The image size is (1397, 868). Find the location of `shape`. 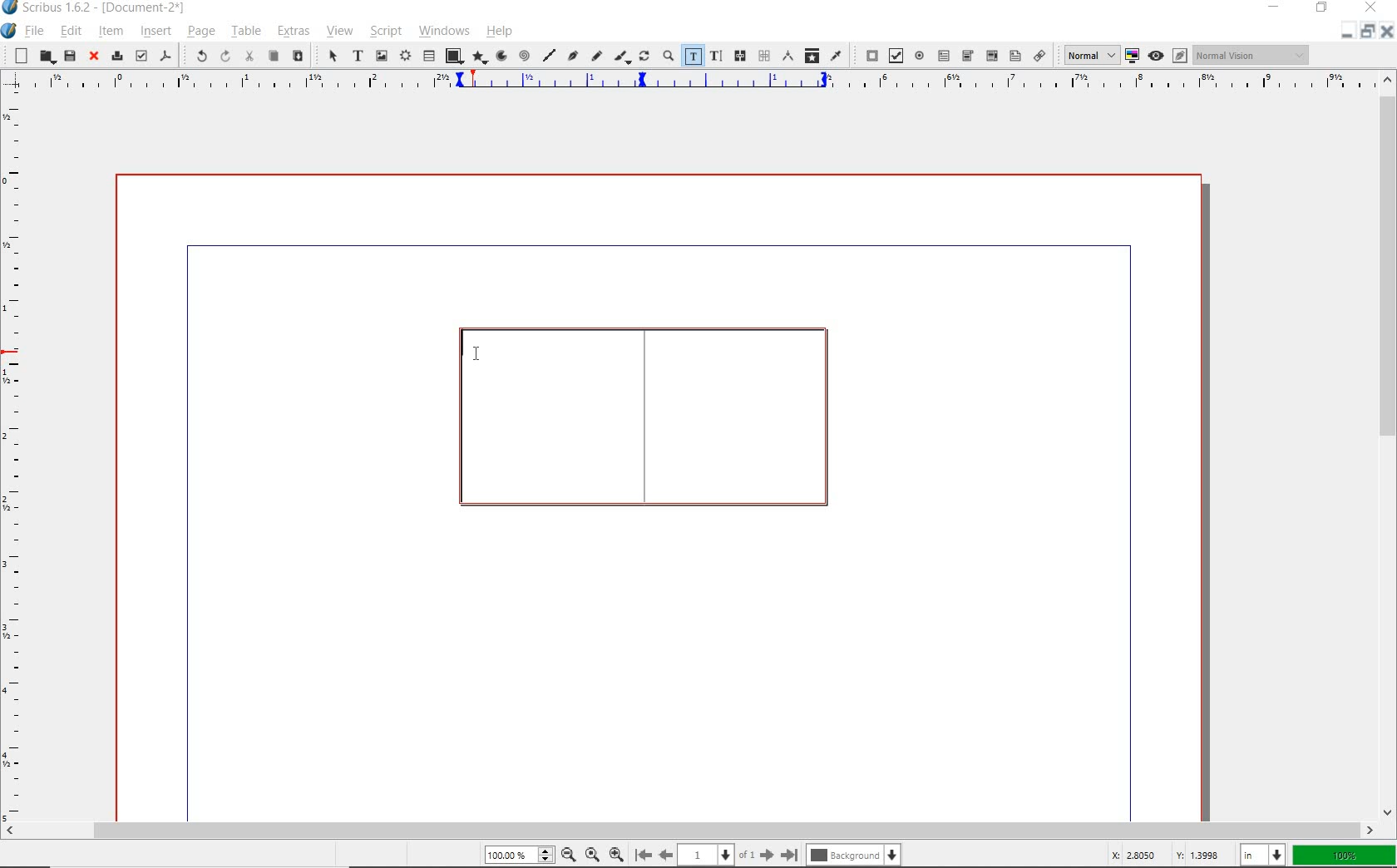

shape is located at coordinates (451, 57).